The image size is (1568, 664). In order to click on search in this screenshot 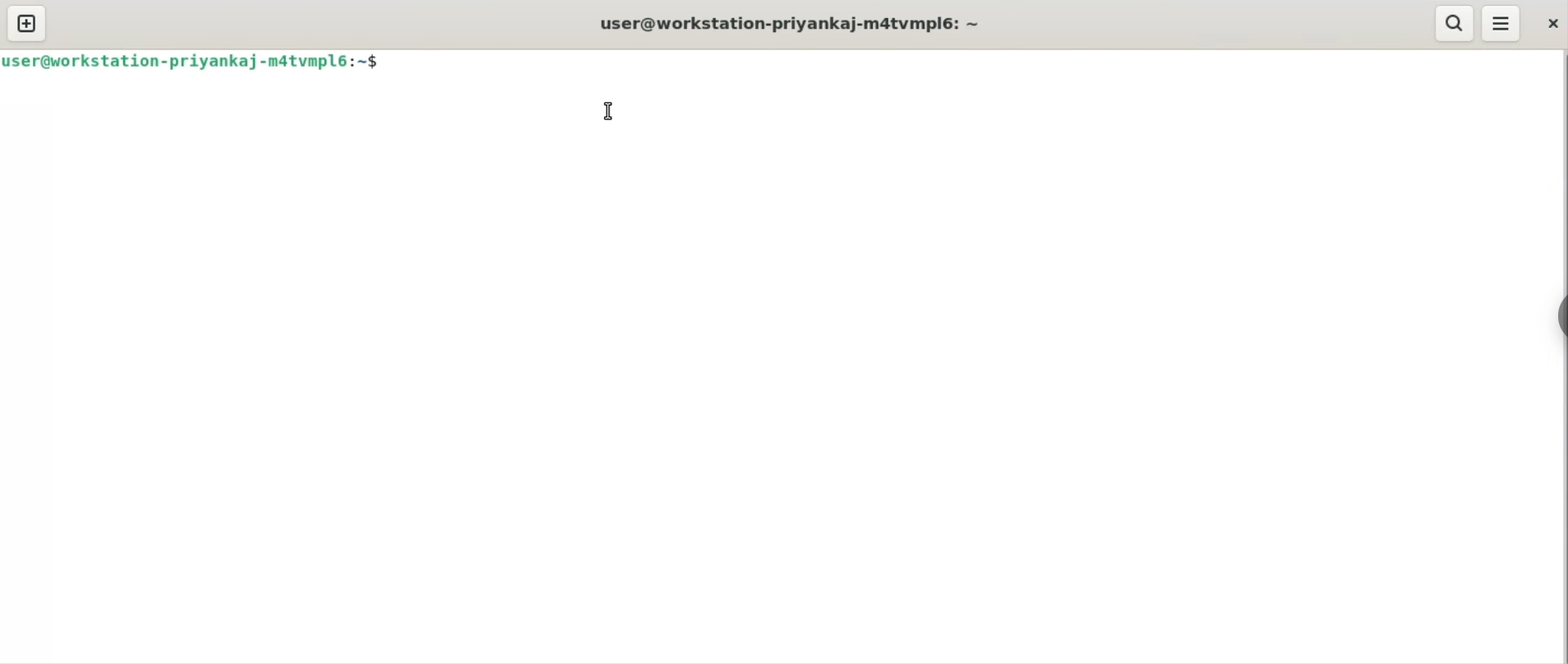, I will do `click(1455, 24)`.